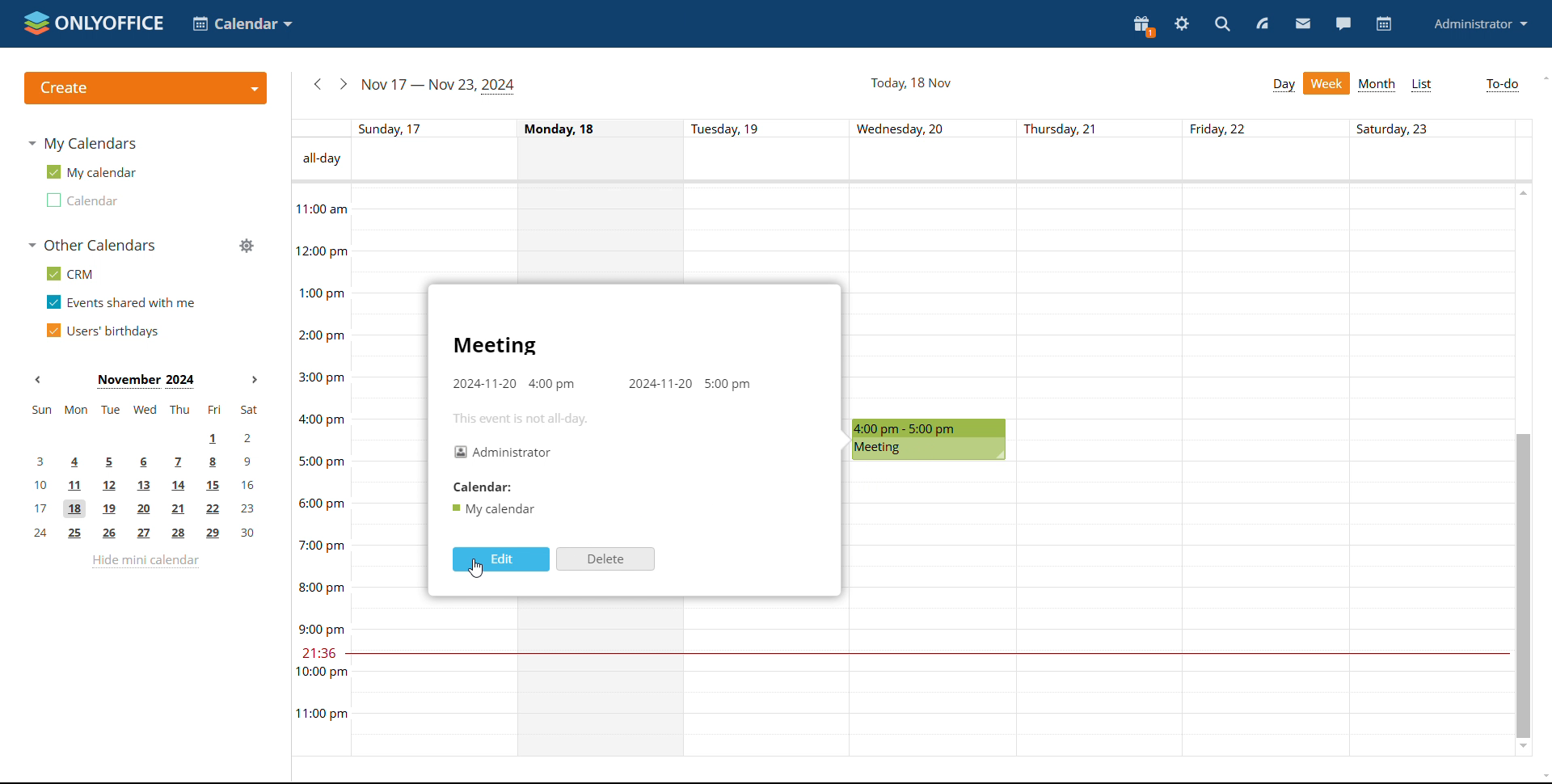  I want to click on create, so click(145, 88).